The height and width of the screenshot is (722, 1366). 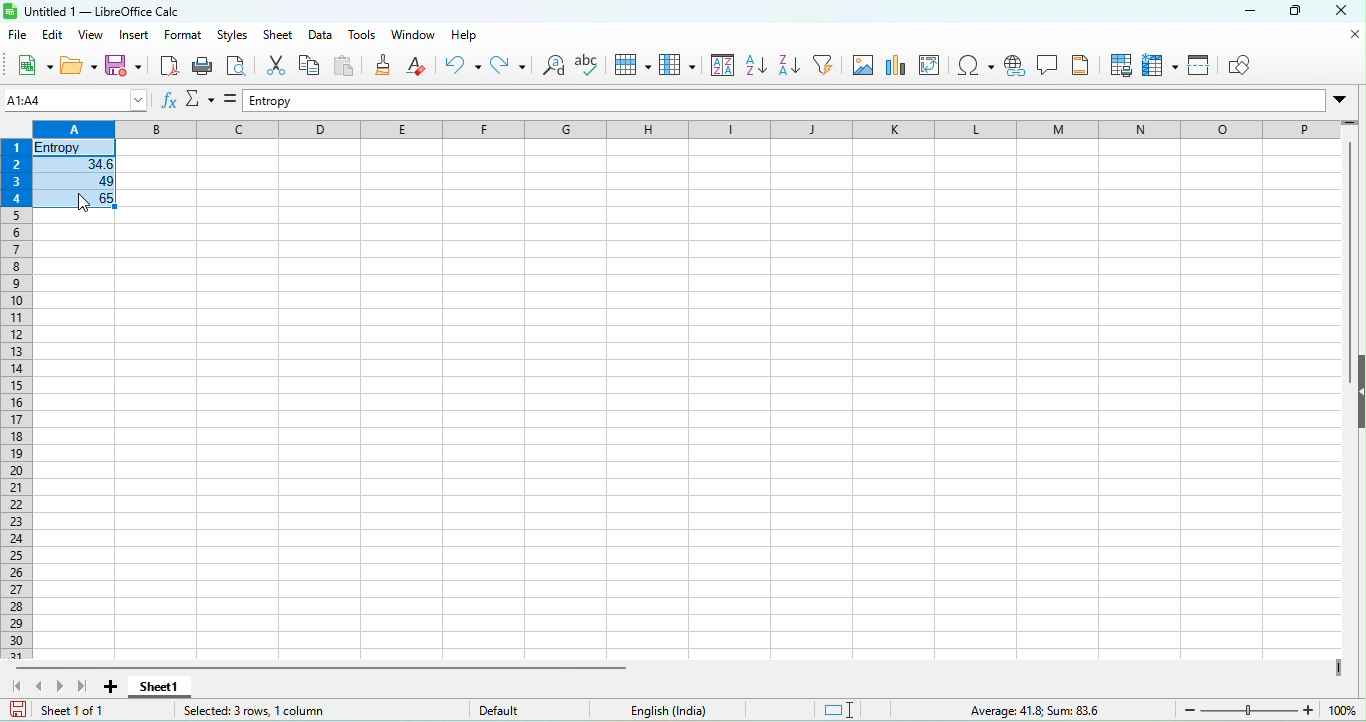 What do you see at coordinates (932, 66) in the screenshot?
I see `edit pivot table` at bounding box center [932, 66].